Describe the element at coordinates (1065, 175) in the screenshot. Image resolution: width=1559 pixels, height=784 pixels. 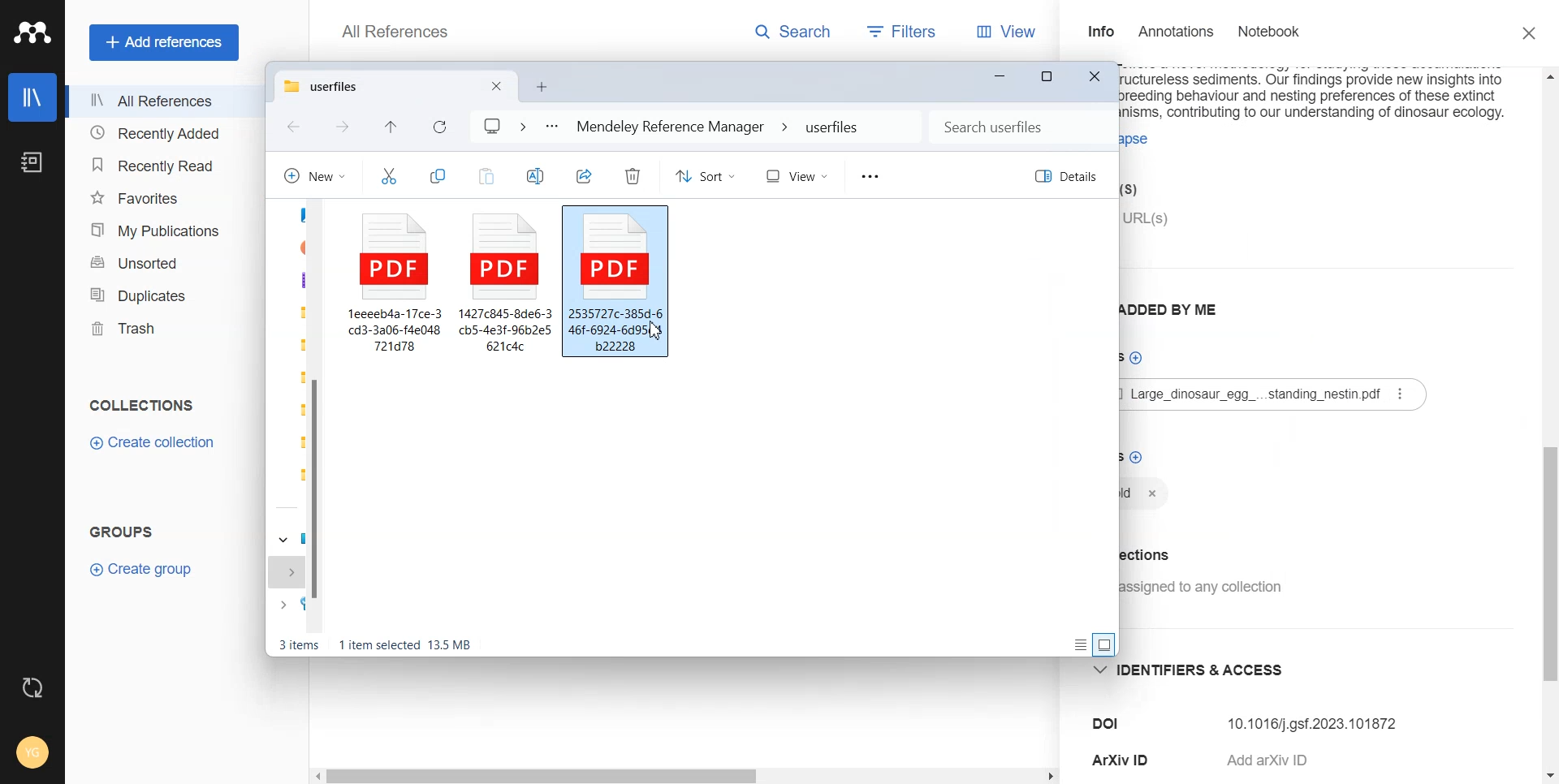
I see `Details` at that location.